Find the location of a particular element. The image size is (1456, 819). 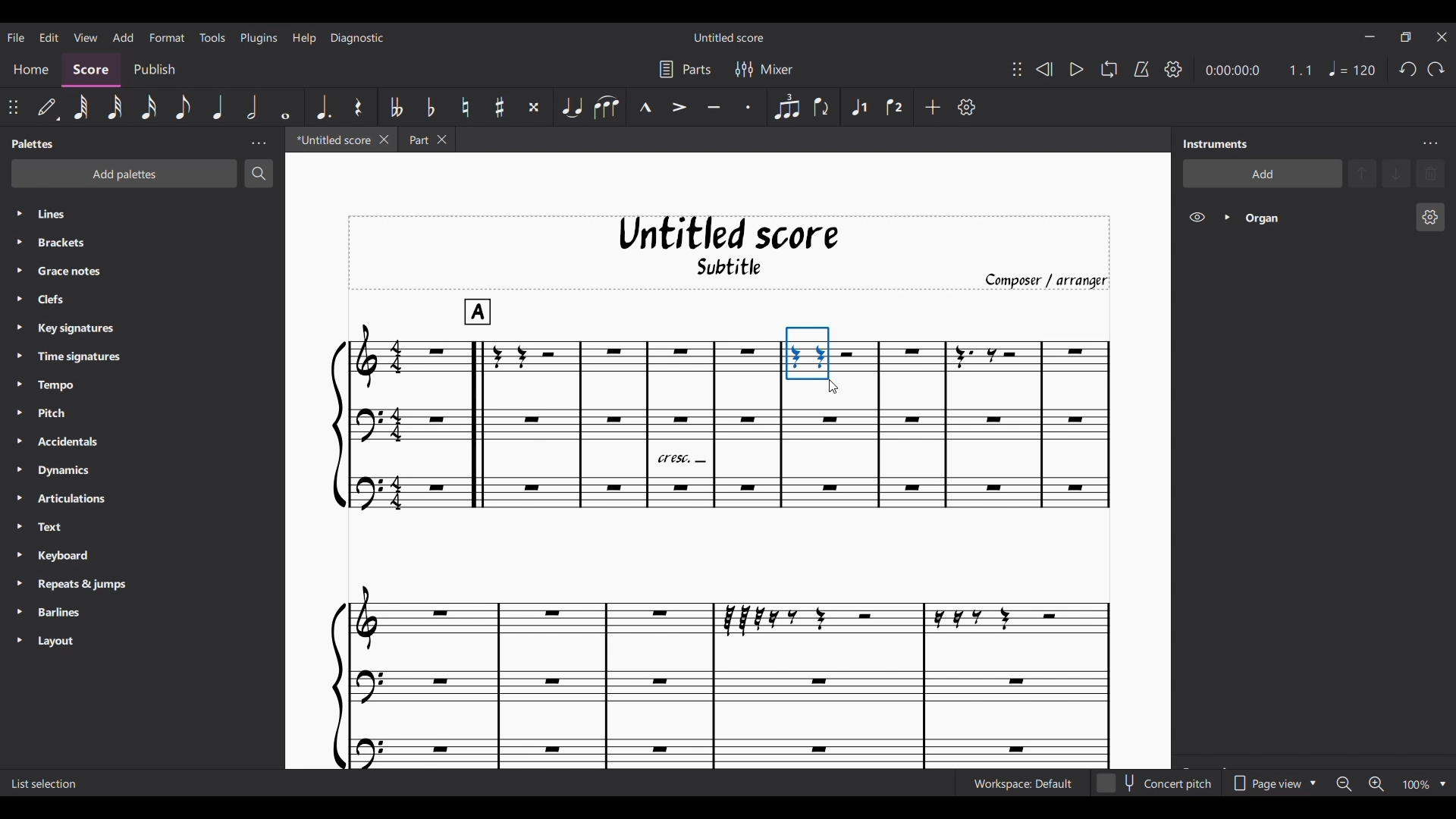

Undo is located at coordinates (1408, 69).